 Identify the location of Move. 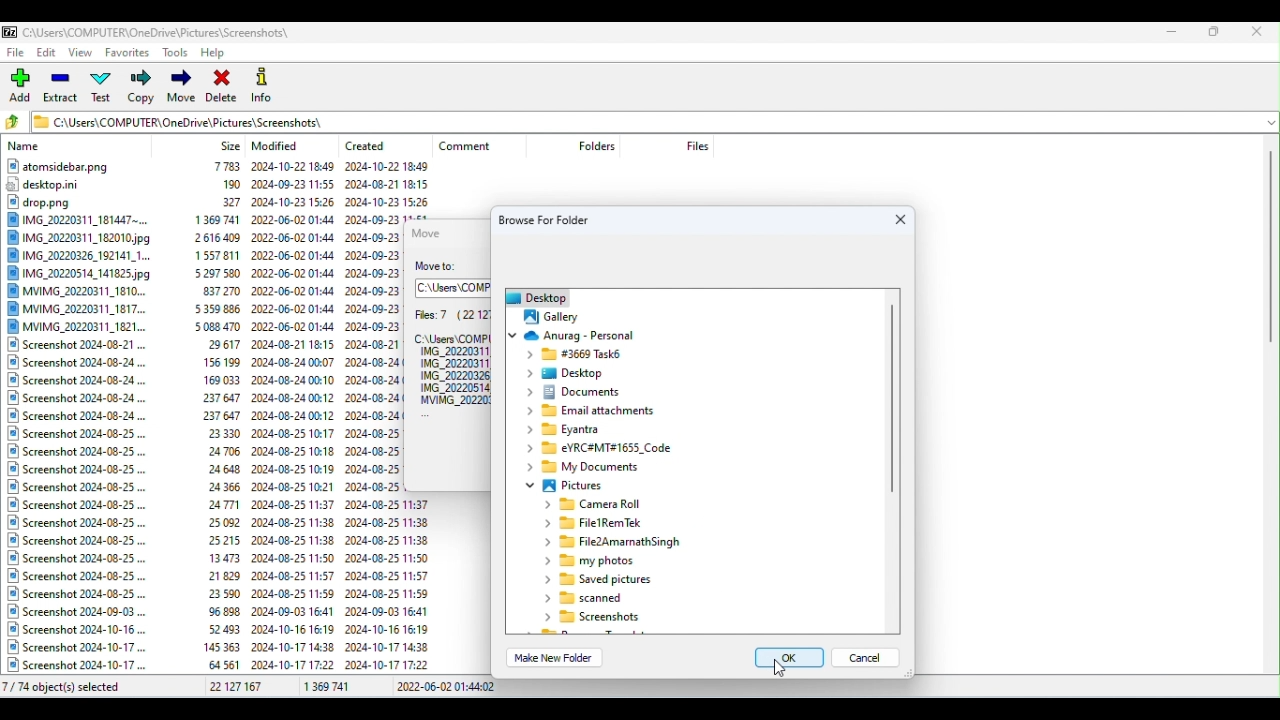
(431, 232).